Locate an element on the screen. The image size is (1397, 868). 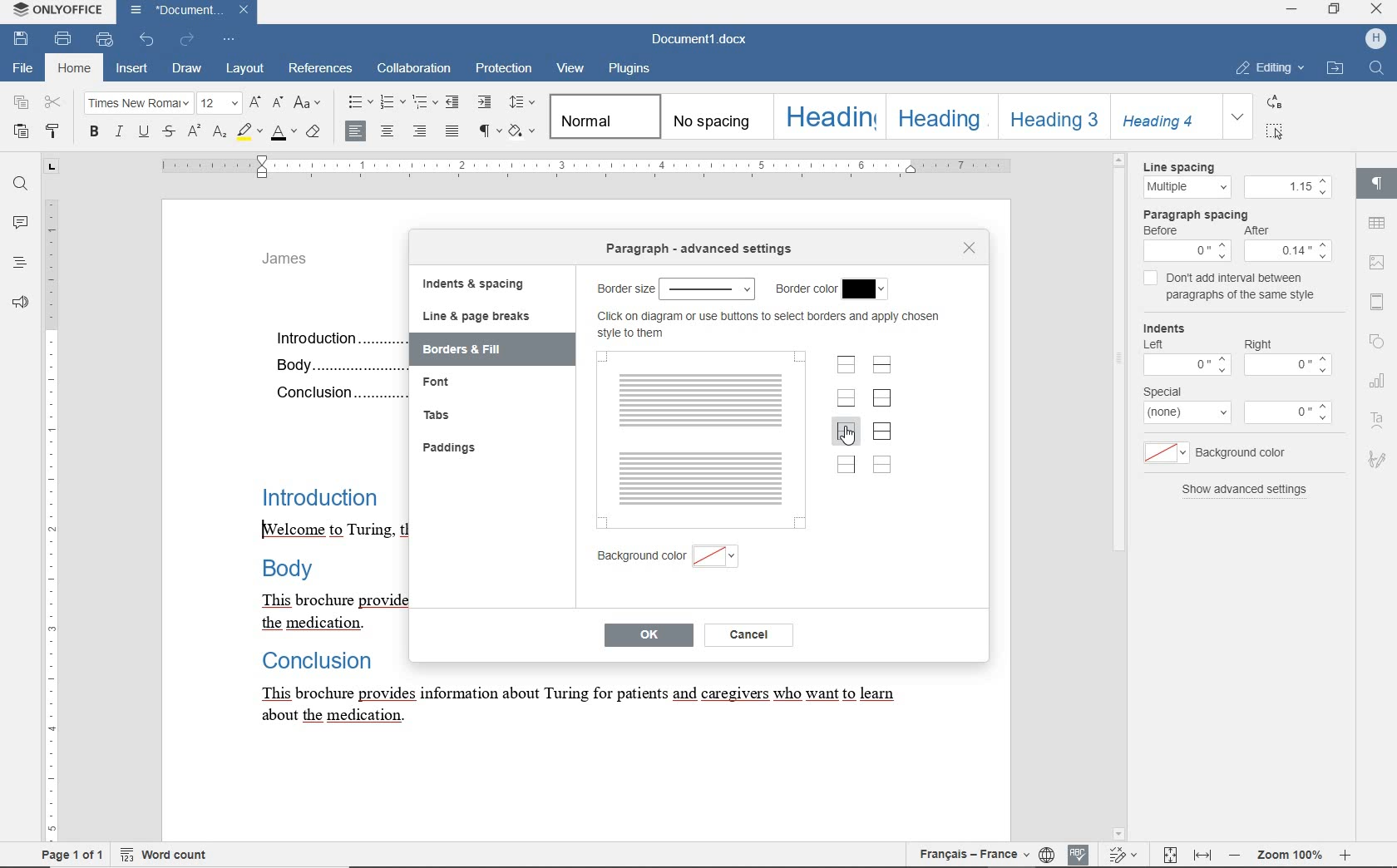
menu is located at coordinates (1290, 250).